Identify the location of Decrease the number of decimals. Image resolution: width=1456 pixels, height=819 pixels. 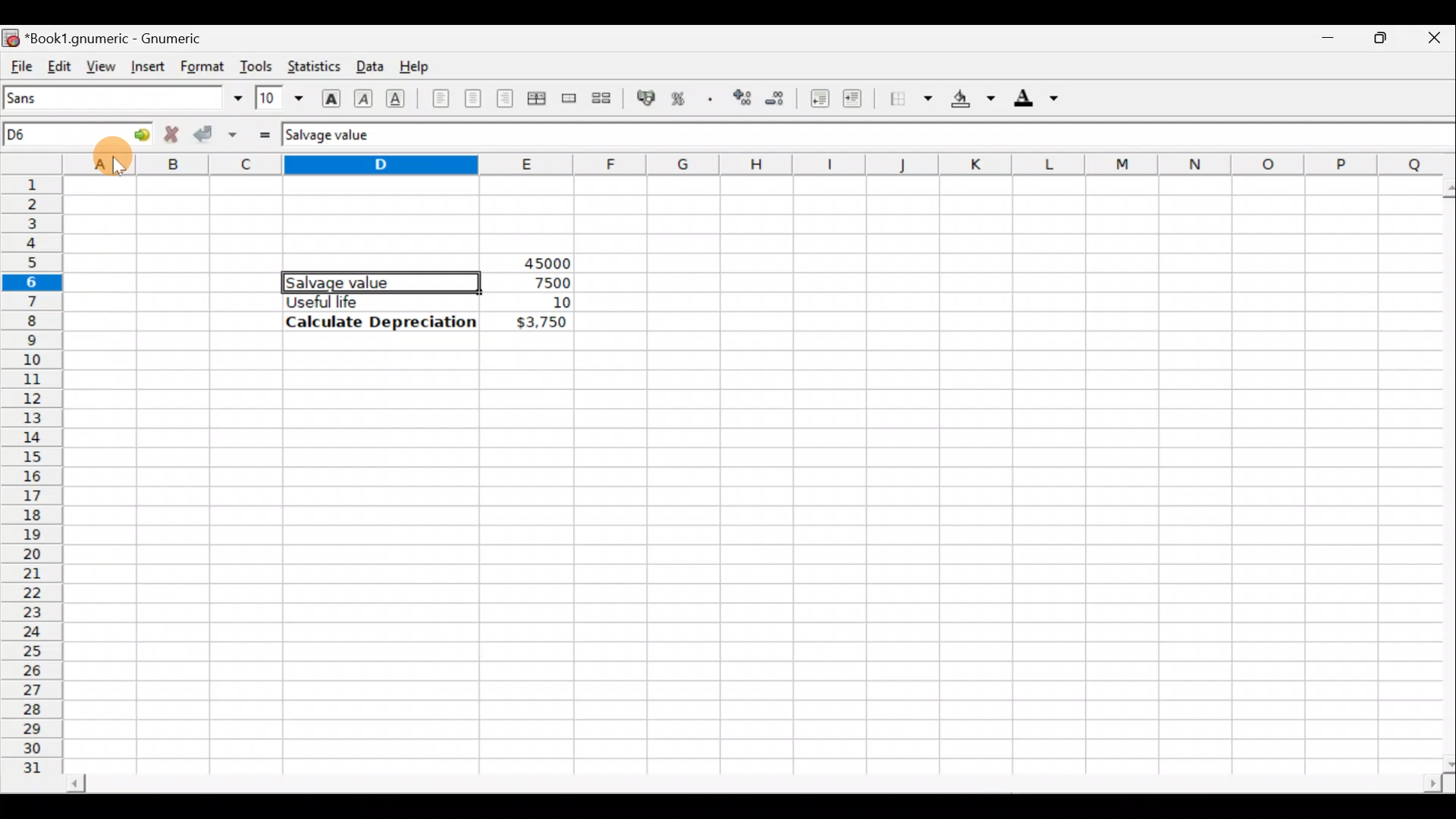
(775, 98).